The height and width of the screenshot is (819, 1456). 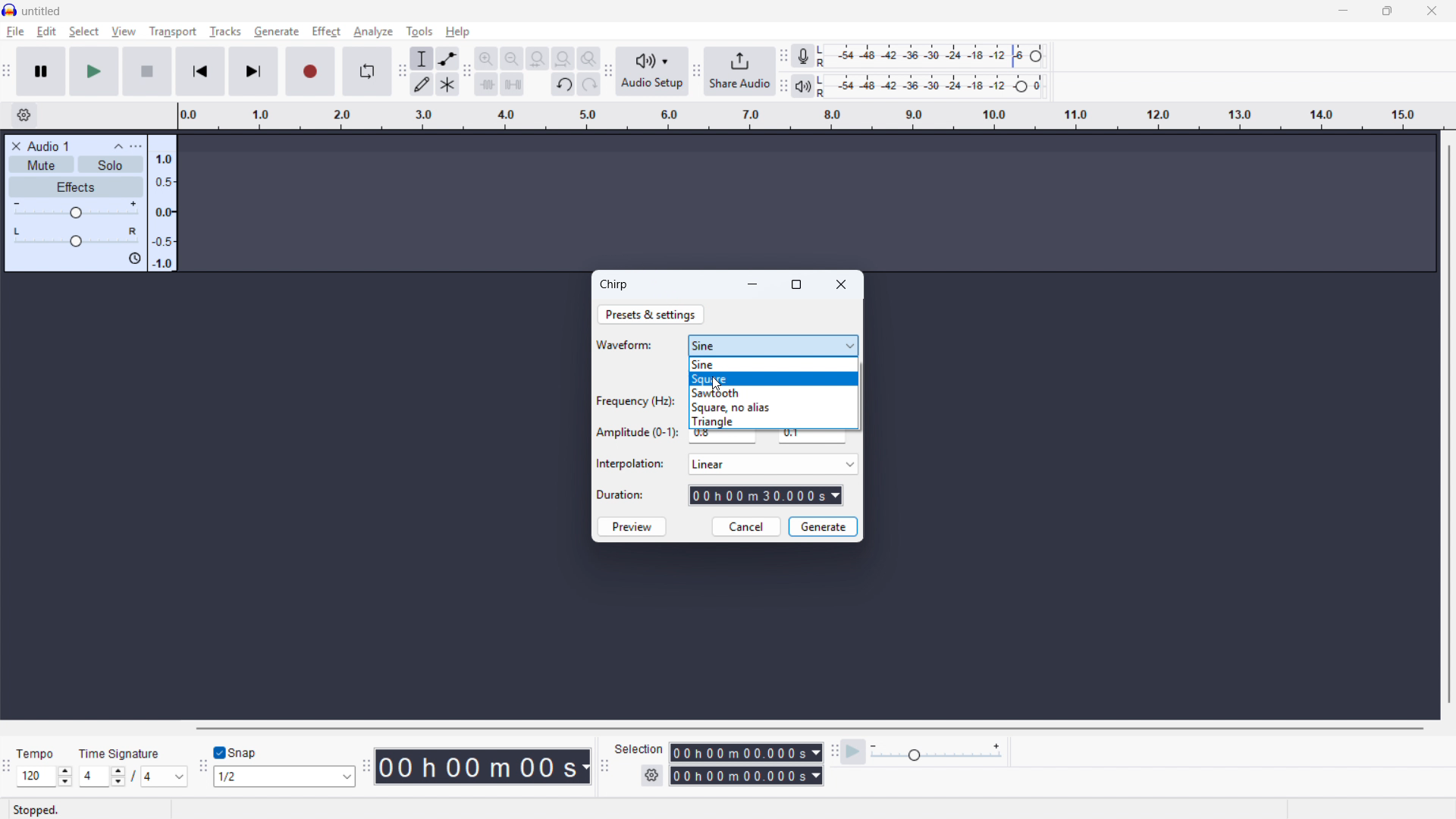 I want to click on Fit project to width , so click(x=564, y=58).